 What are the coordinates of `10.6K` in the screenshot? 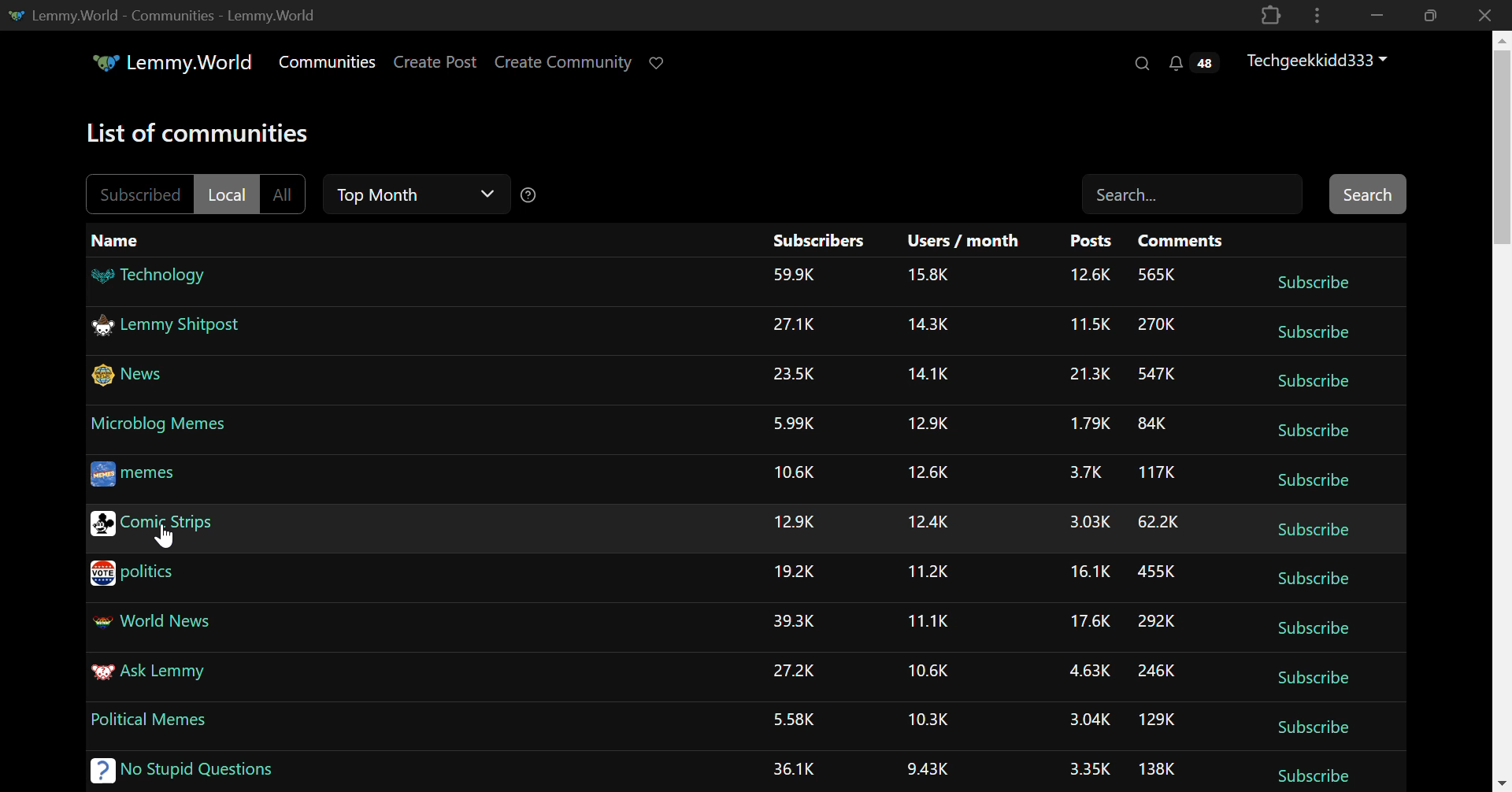 It's located at (794, 473).